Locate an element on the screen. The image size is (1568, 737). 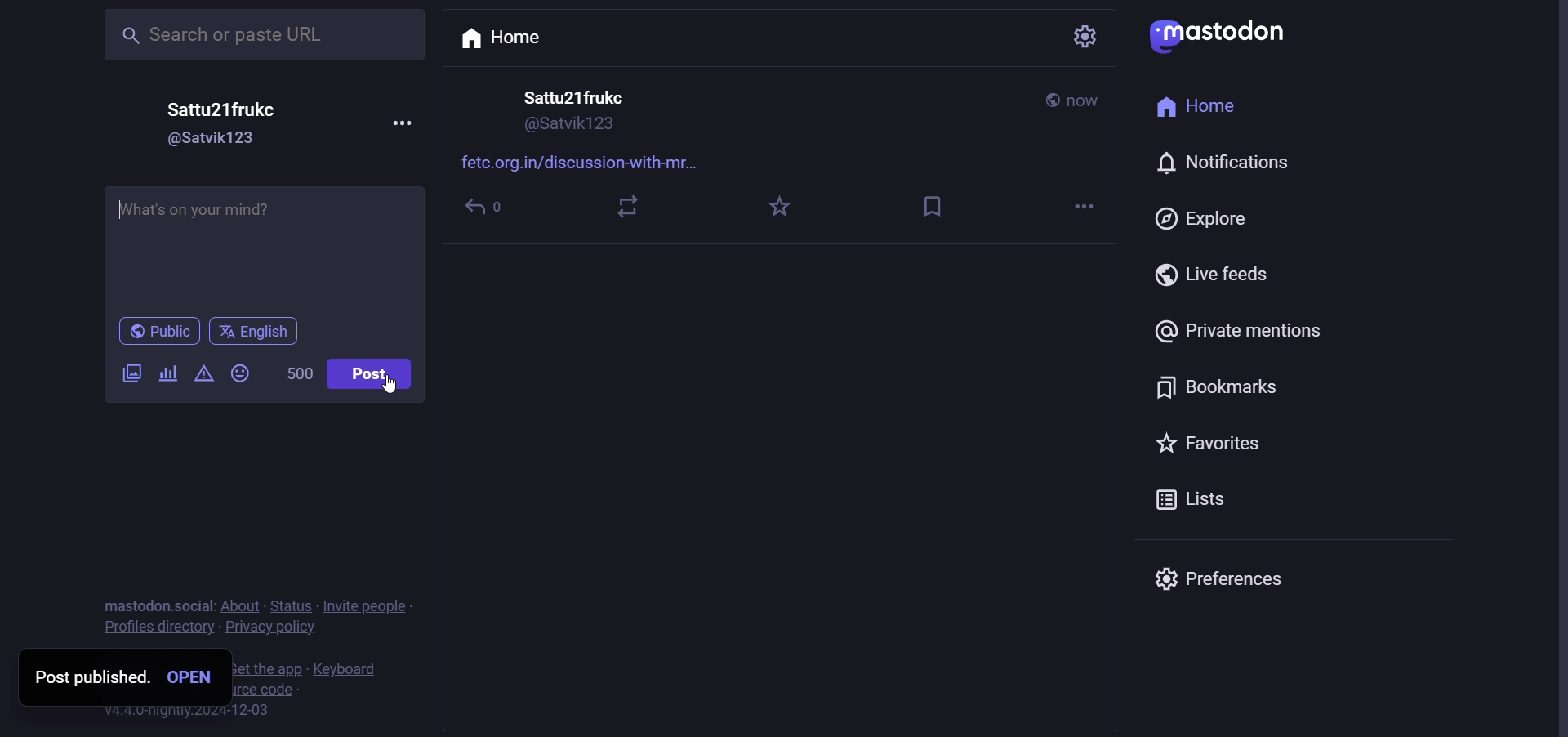
home is located at coordinates (1198, 110).